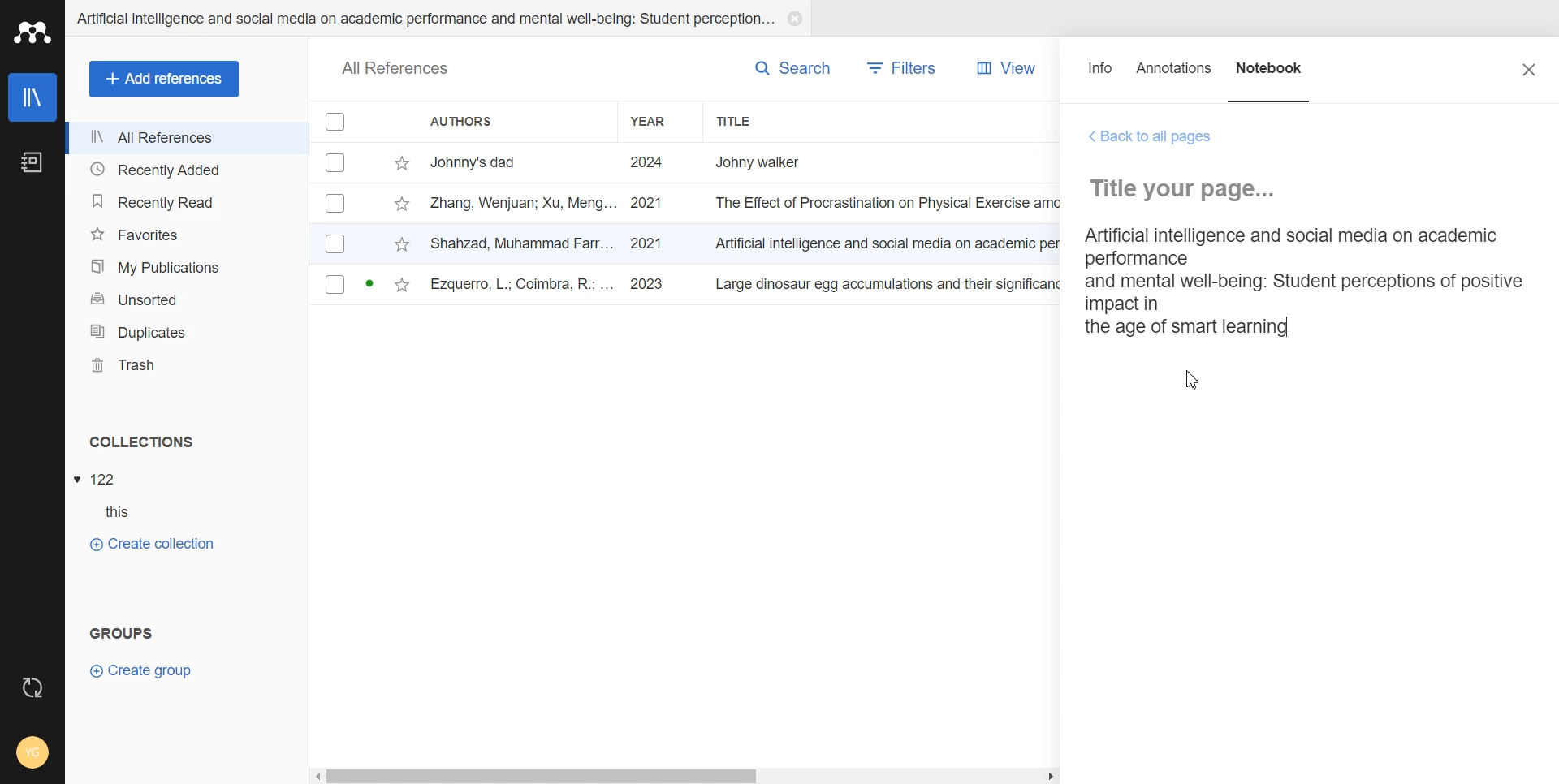 This screenshot has width=1559, height=784. Describe the element at coordinates (337, 121) in the screenshot. I see `Checkbox` at that location.